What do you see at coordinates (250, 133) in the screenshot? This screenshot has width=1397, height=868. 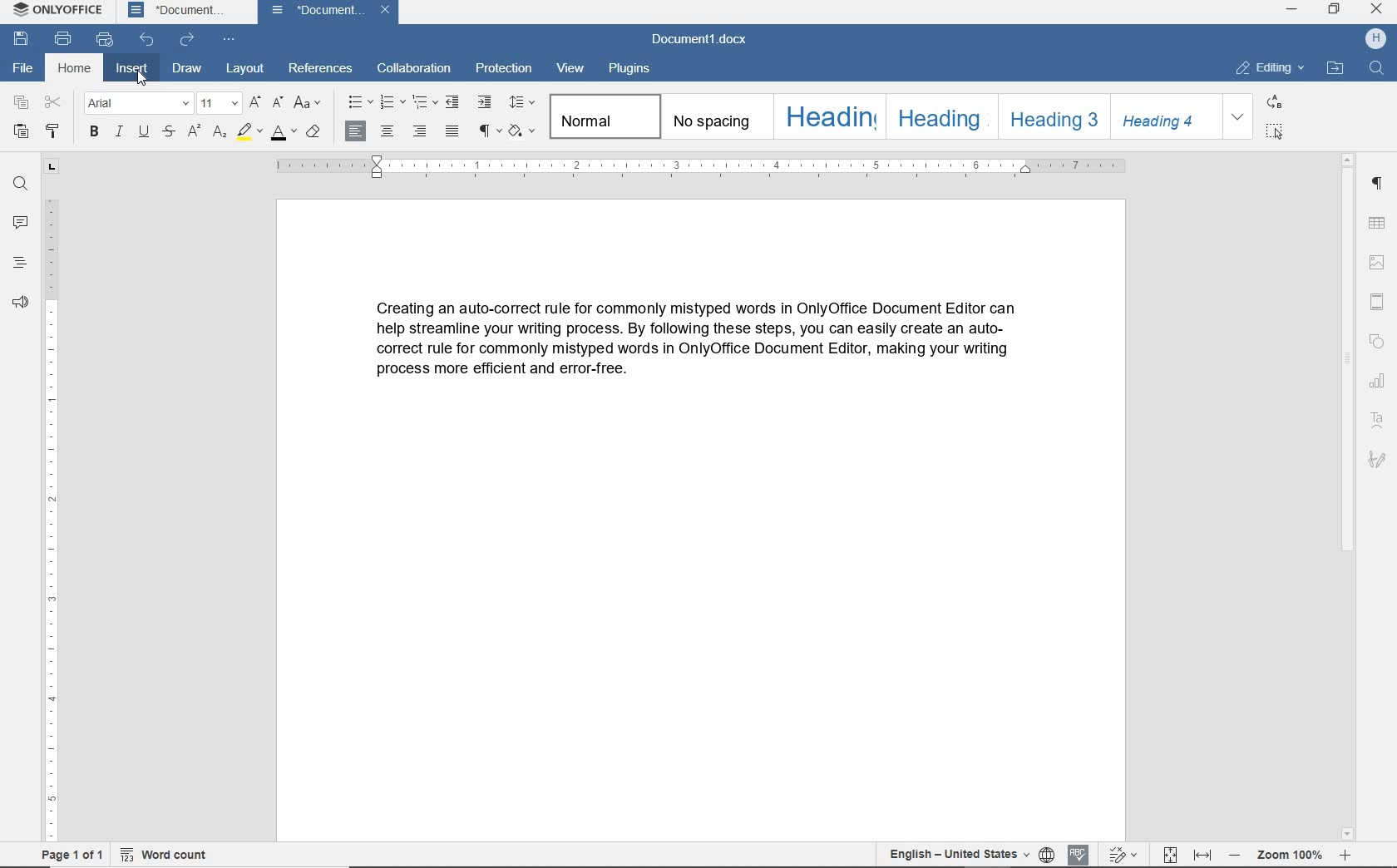 I see `highlight color` at bounding box center [250, 133].